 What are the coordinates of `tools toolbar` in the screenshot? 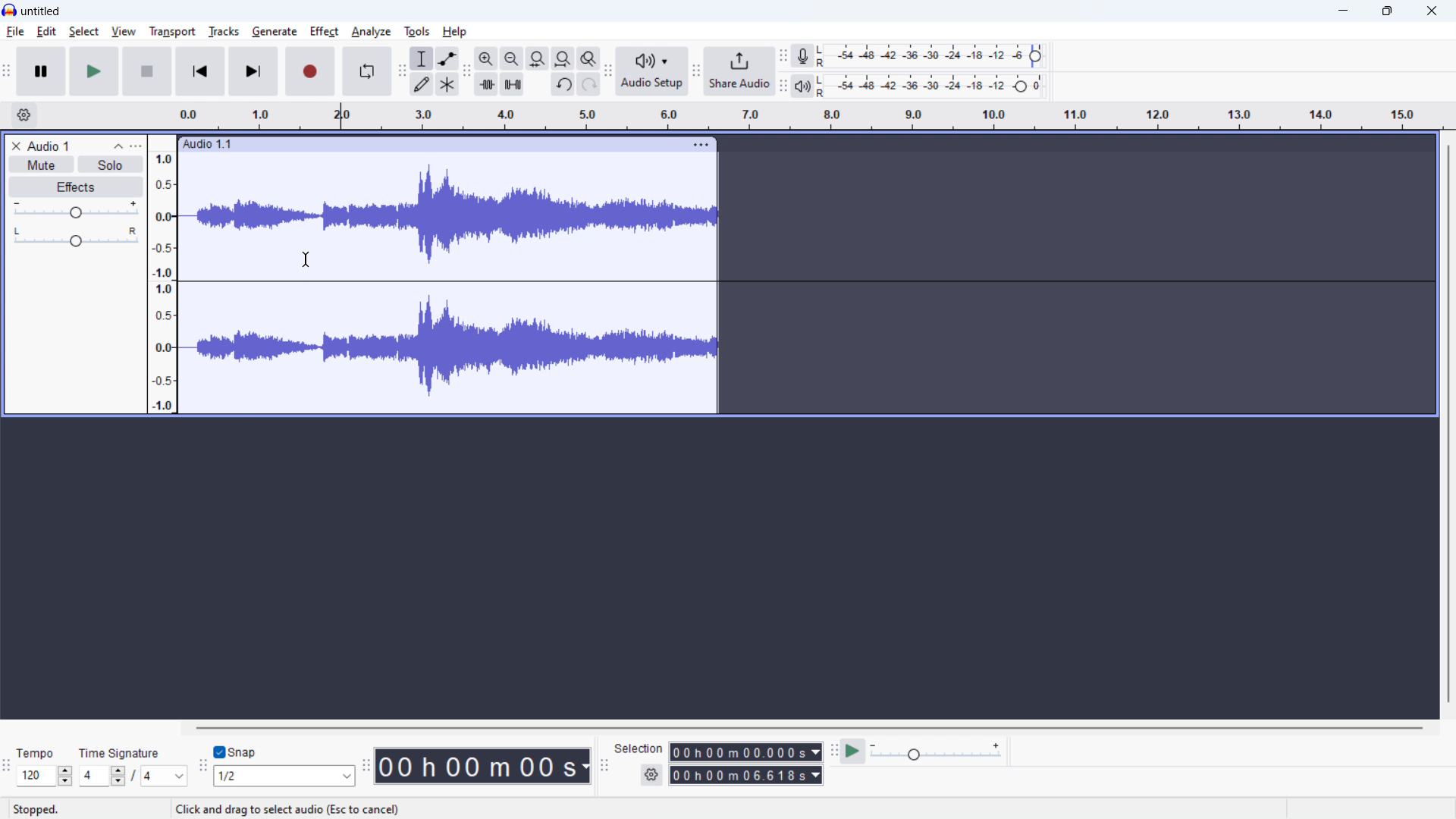 It's located at (401, 71).